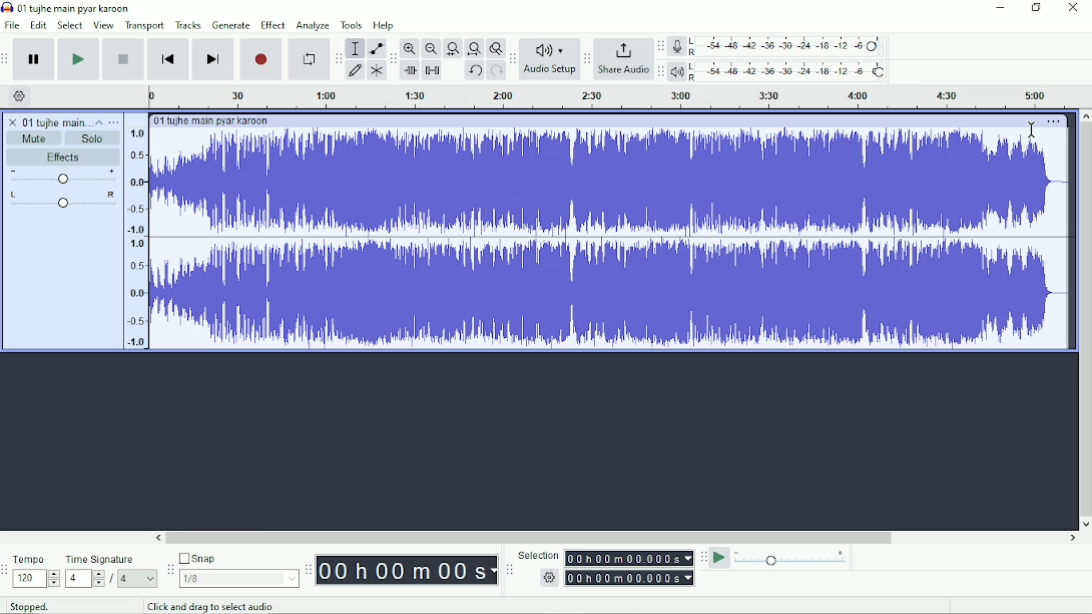  Describe the element at coordinates (630, 578) in the screenshot. I see `00h00m00.000s` at that location.